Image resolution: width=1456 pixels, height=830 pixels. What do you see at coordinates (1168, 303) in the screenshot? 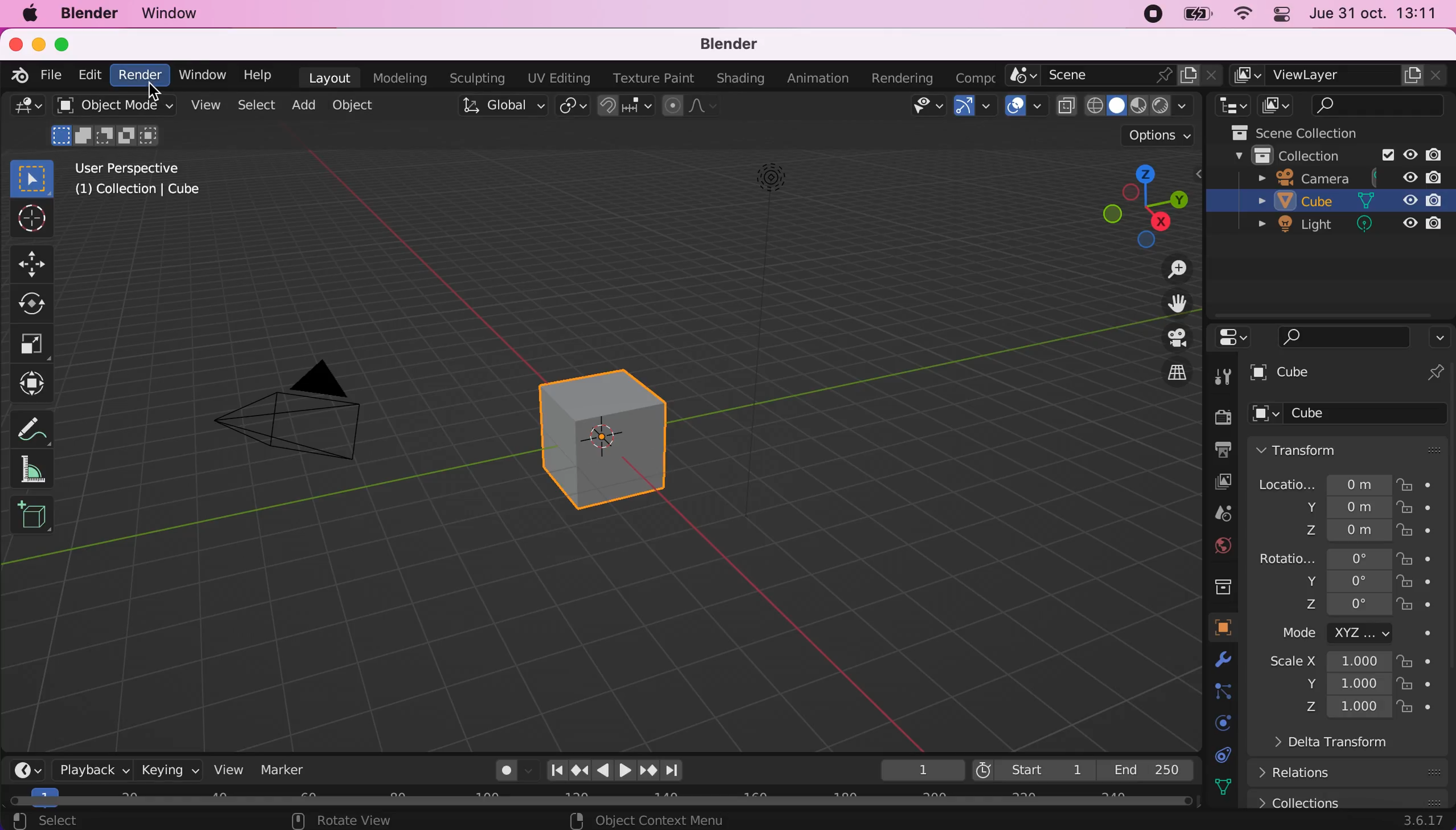
I see `move the view` at bounding box center [1168, 303].